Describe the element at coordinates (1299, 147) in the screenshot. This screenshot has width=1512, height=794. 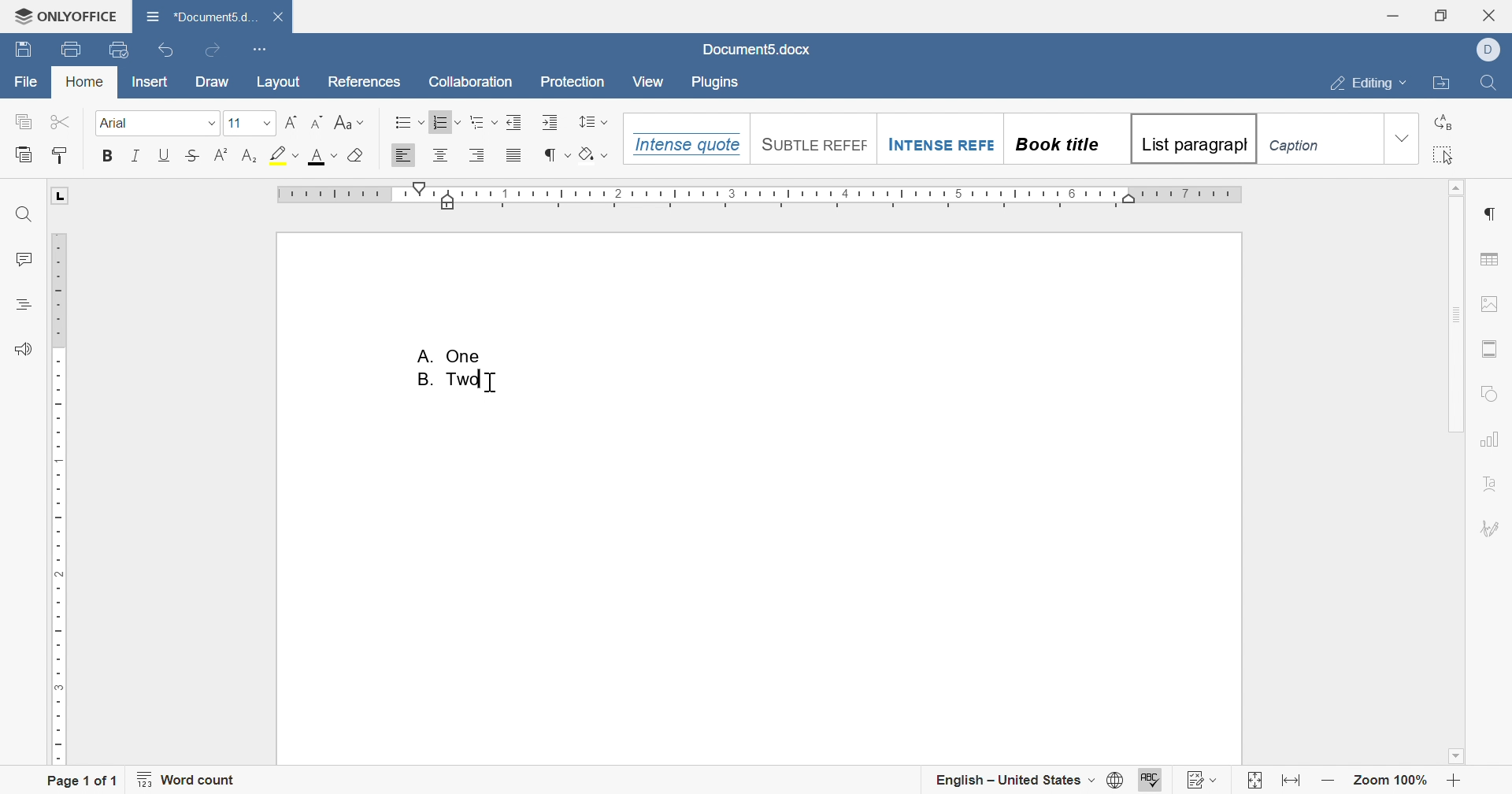
I see `Caption ` at that location.